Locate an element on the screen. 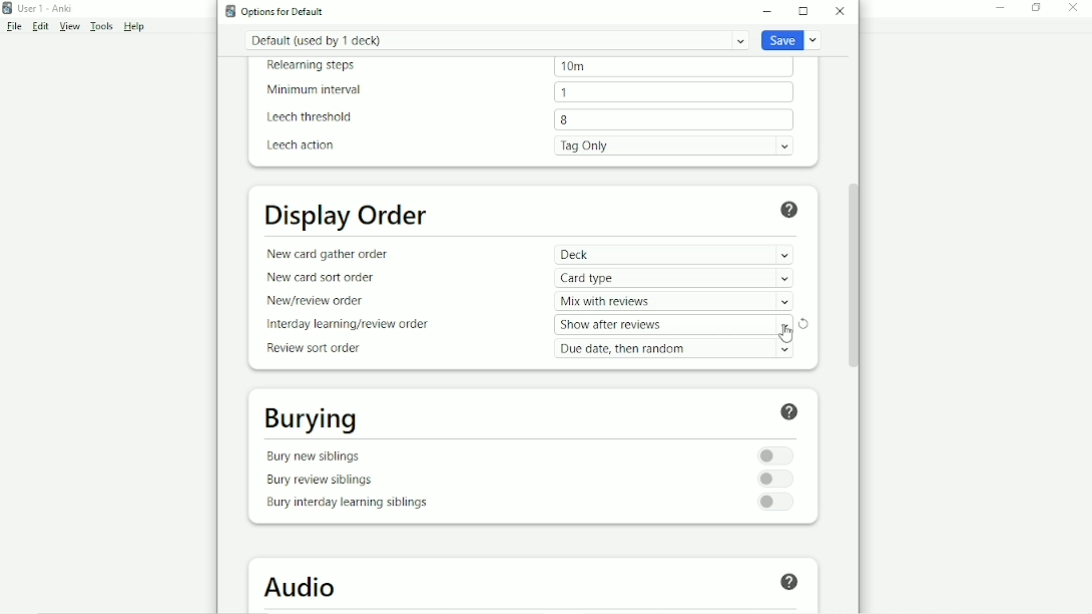 The height and width of the screenshot is (614, 1092). Minimum interval is located at coordinates (313, 90).